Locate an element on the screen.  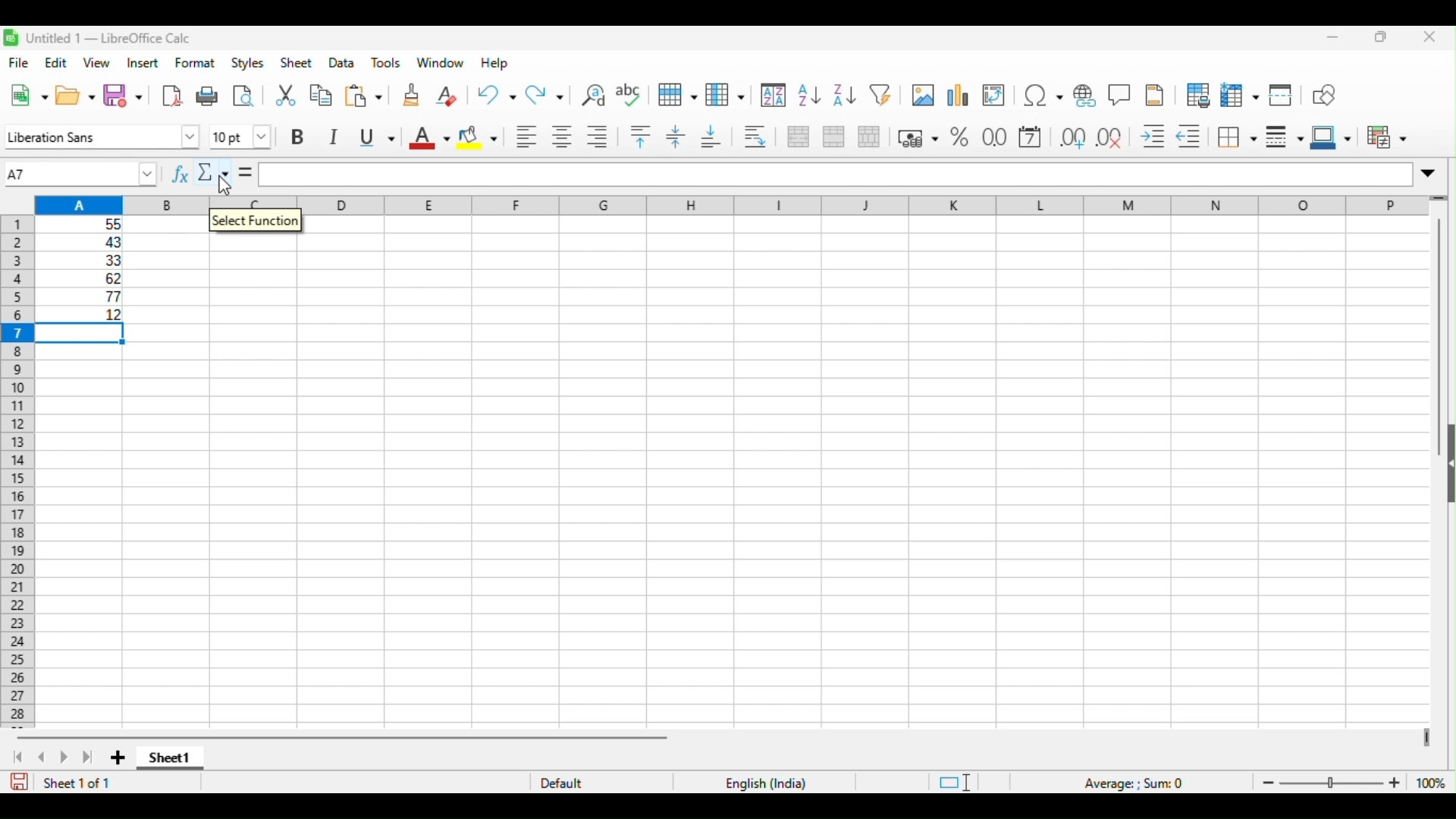
select function is located at coordinates (256, 226).